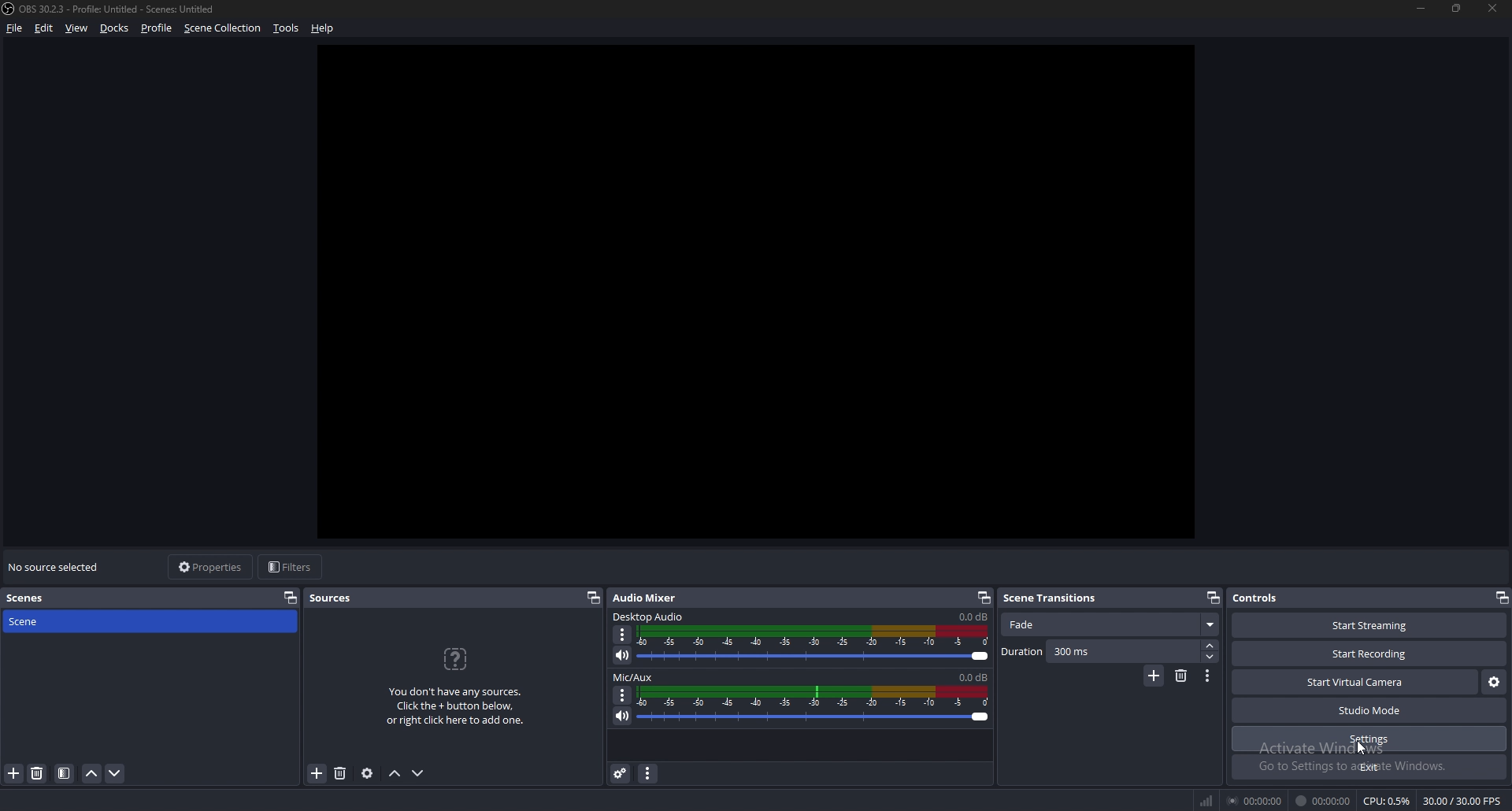  Describe the element at coordinates (1182, 676) in the screenshot. I see `remove scene` at that location.